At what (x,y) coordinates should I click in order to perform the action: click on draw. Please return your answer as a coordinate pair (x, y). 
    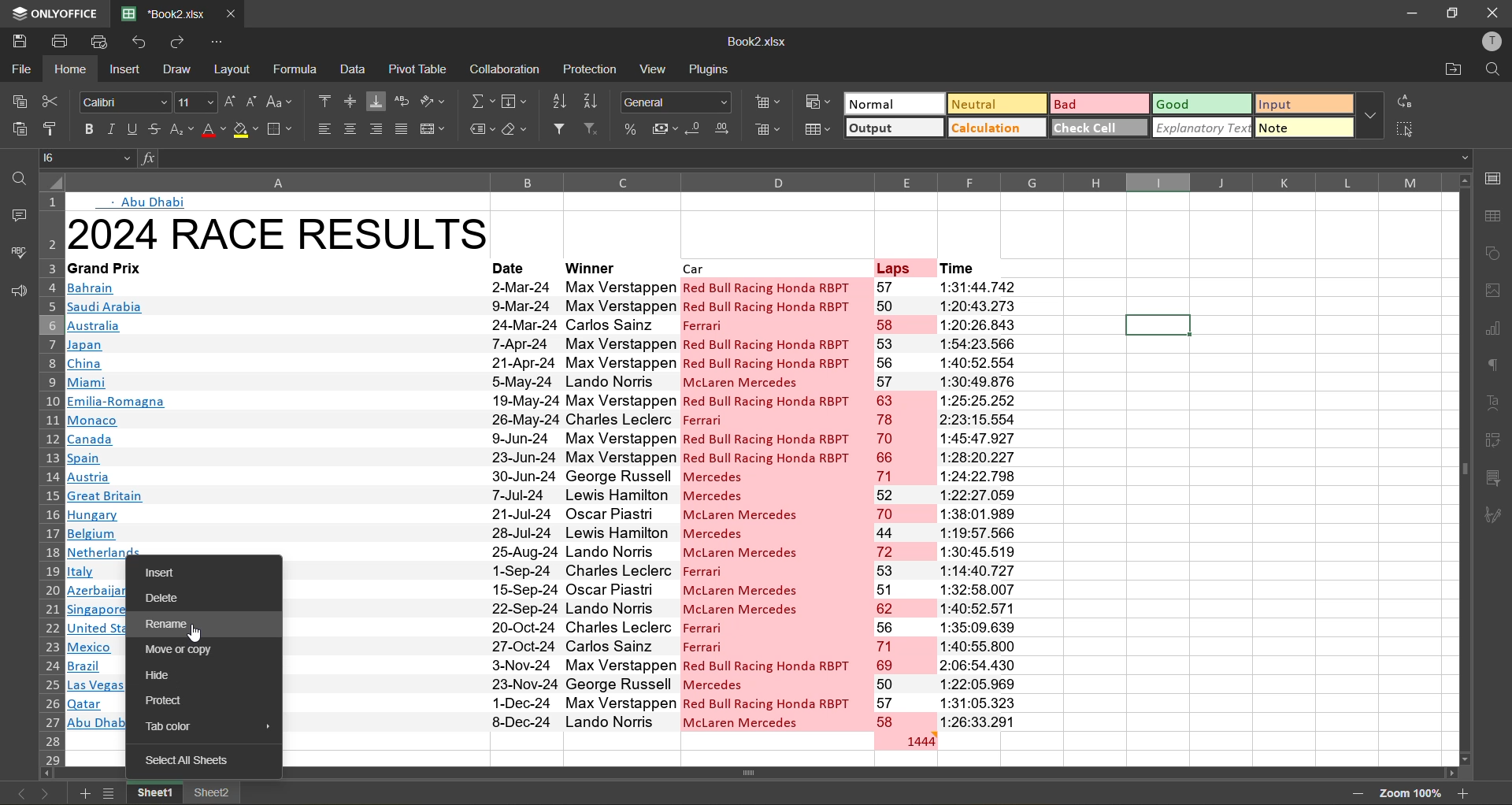
    Looking at the image, I should click on (180, 69).